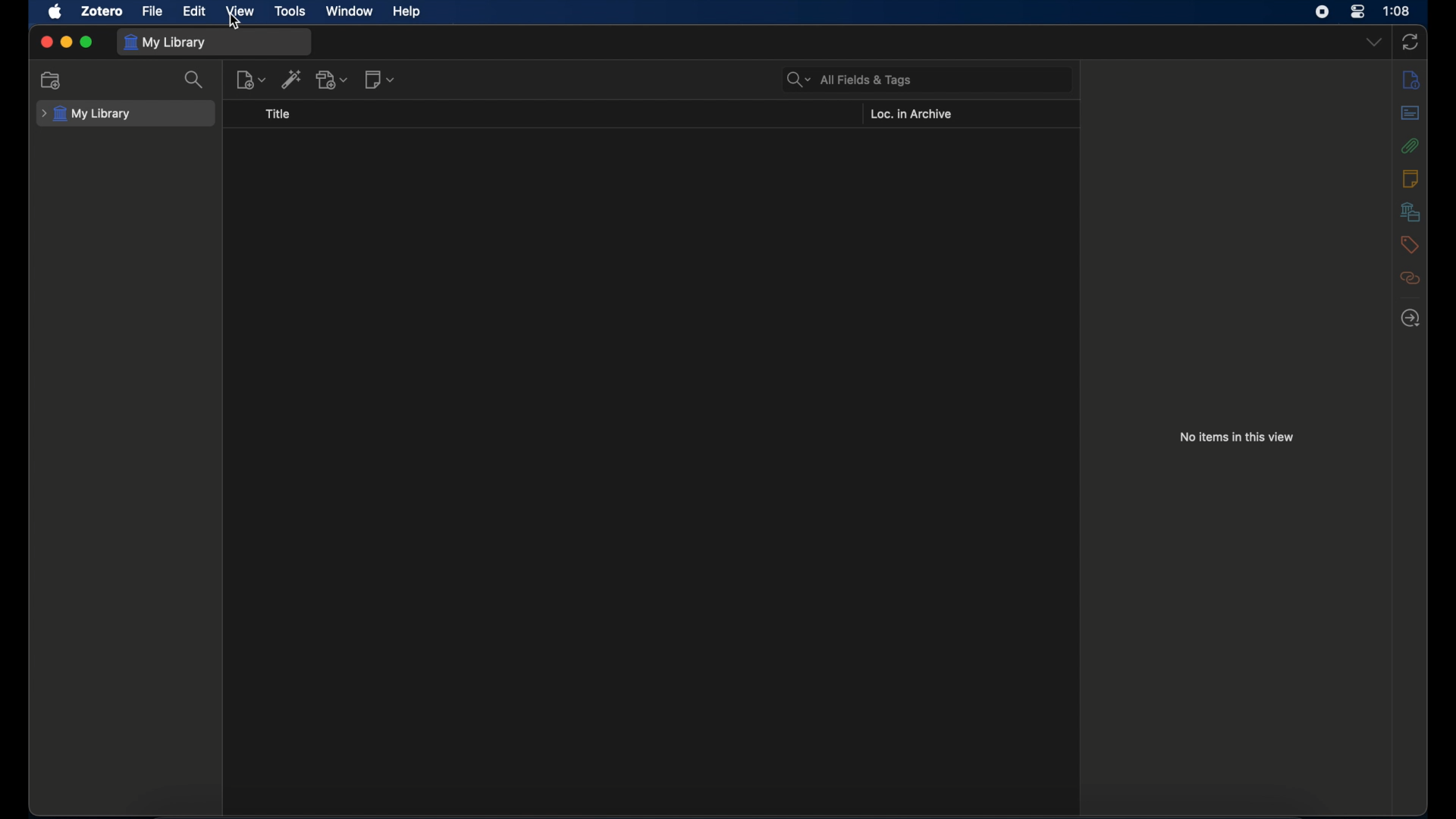 The width and height of the screenshot is (1456, 819). Describe the element at coordinates (279, 115) in the screenshot. I see `title` at that location.